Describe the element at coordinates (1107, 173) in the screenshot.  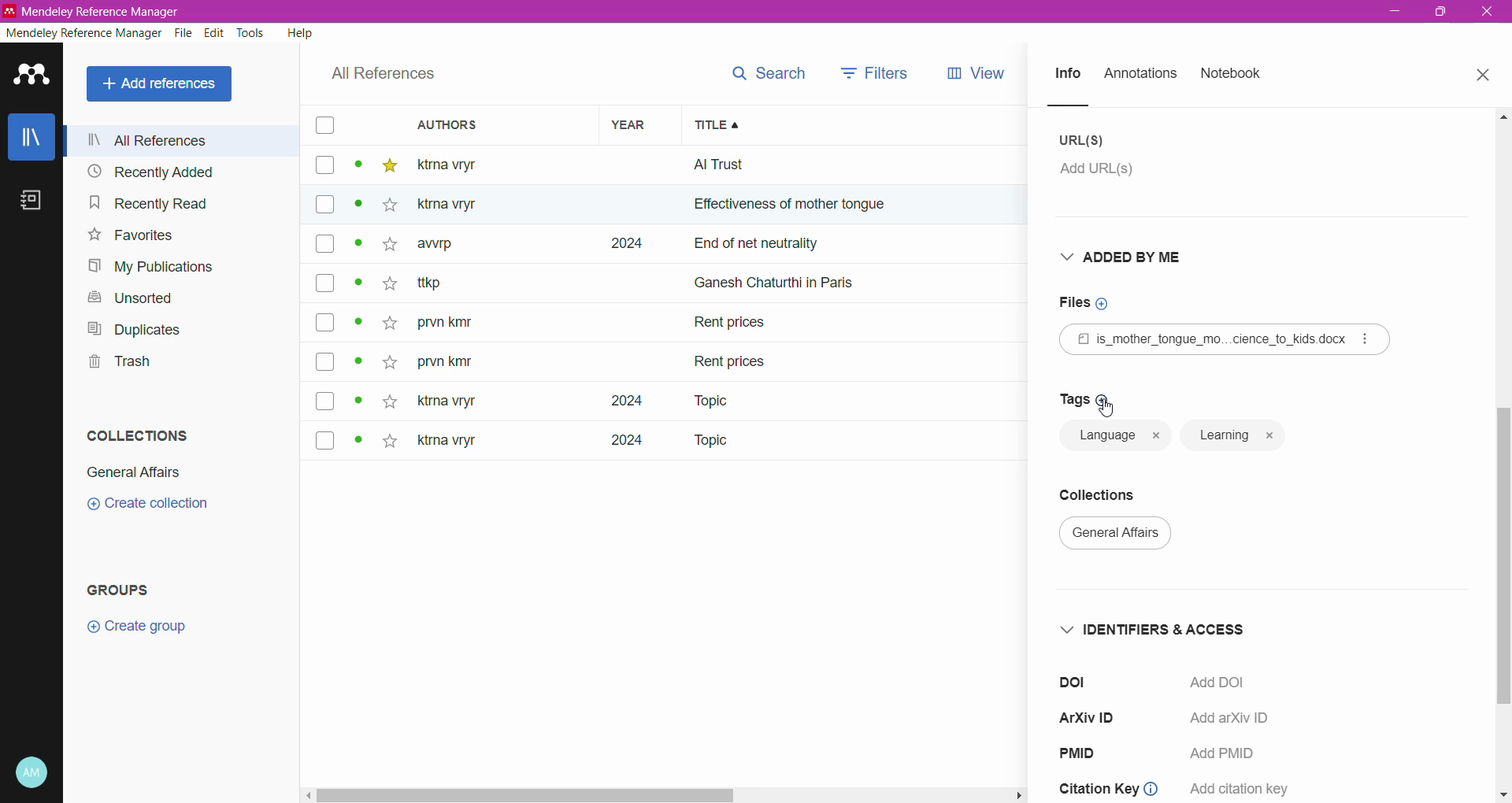
I see `Click to add URL(s)` at that location.